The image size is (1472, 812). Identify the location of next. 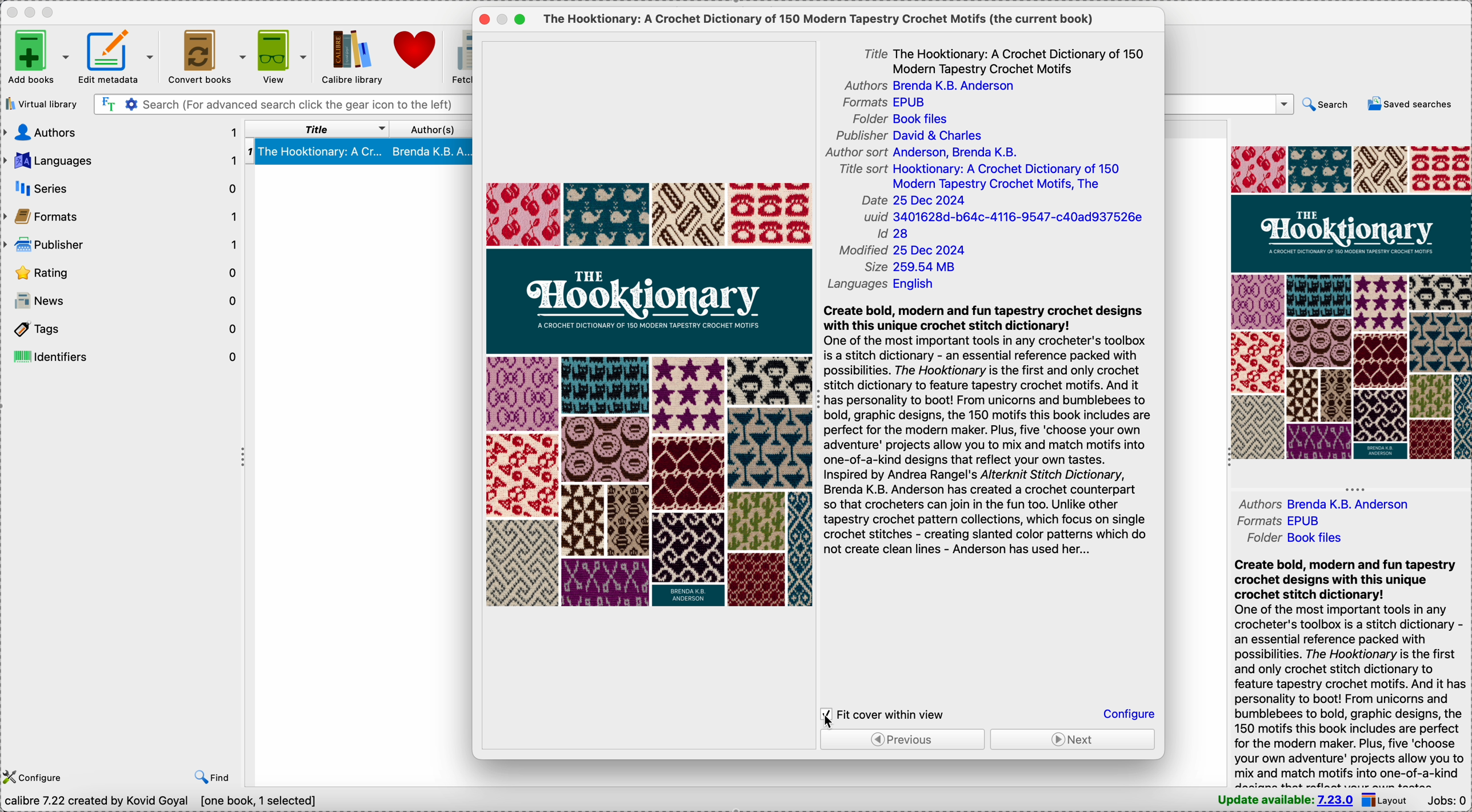
(1075, 740).